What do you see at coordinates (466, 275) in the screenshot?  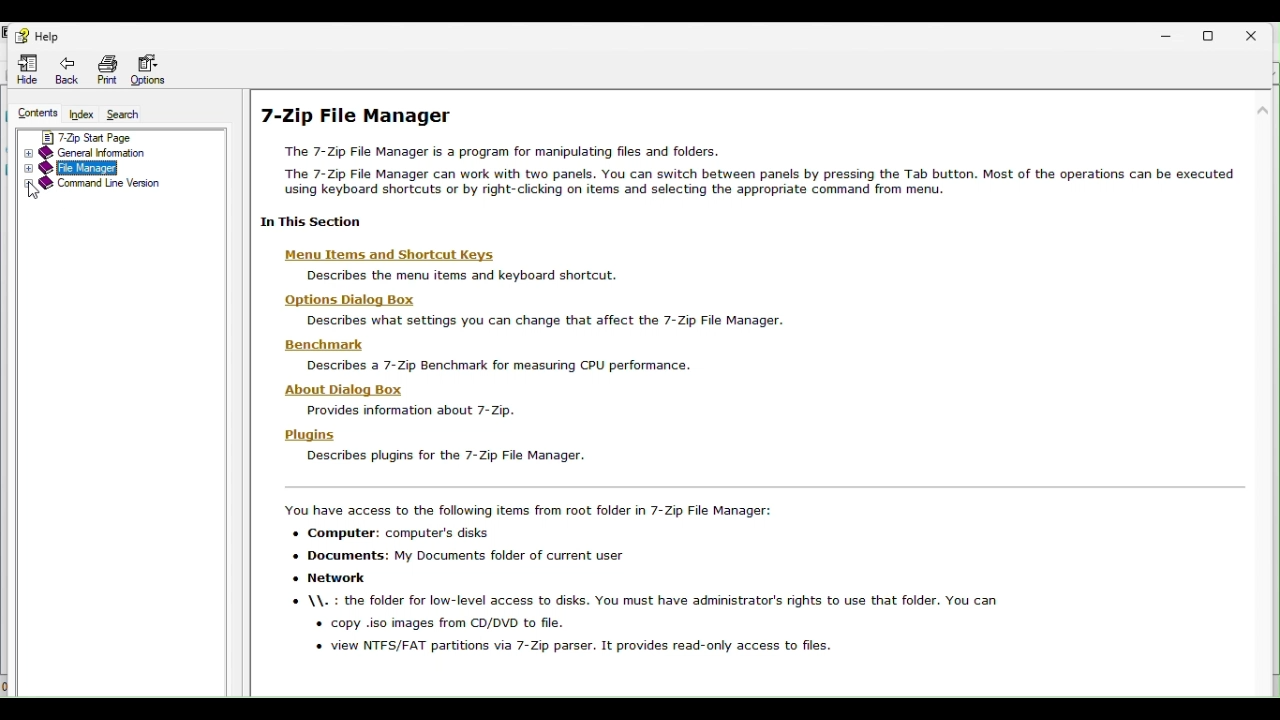 I see `description` at bounding box center [466, 275].